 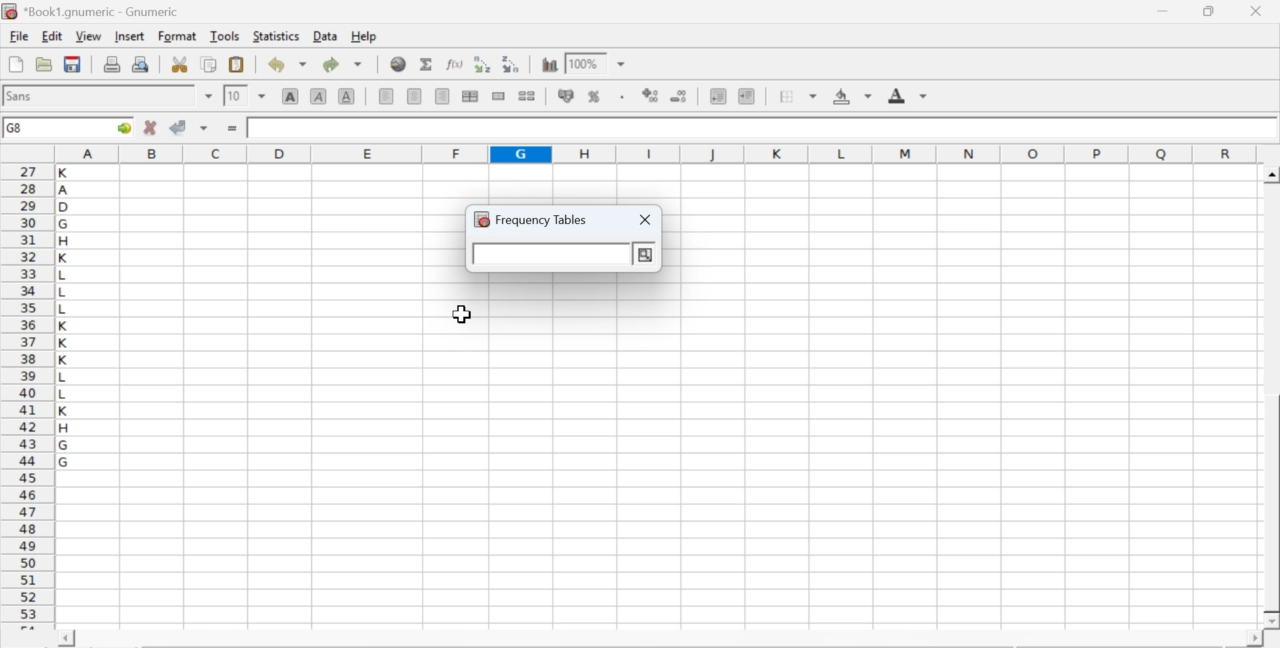 I want to click on align left, so click(x=386, y=94).